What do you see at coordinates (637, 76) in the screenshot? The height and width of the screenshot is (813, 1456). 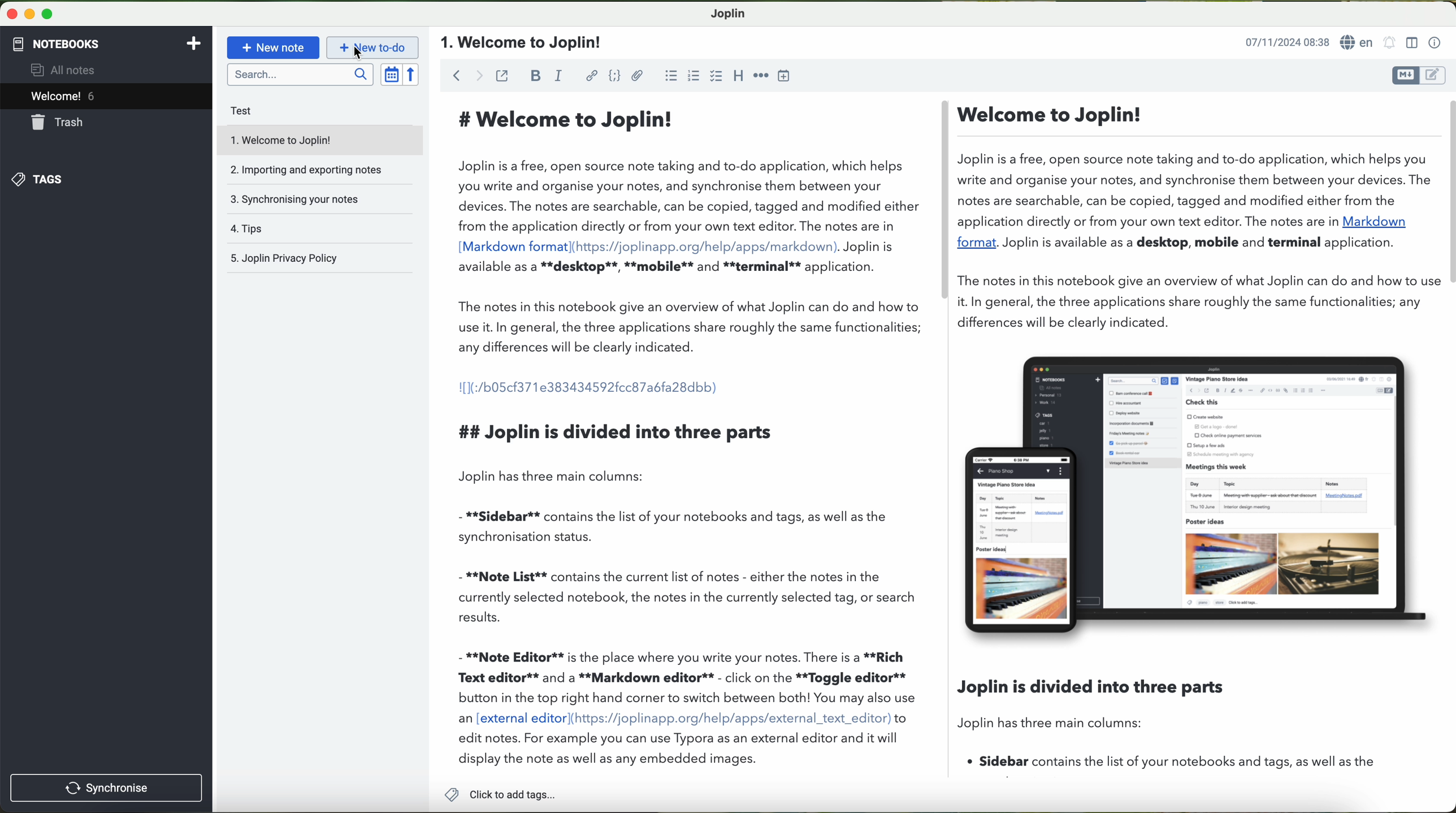 I see `attach file` at bounding box center [637, 76].